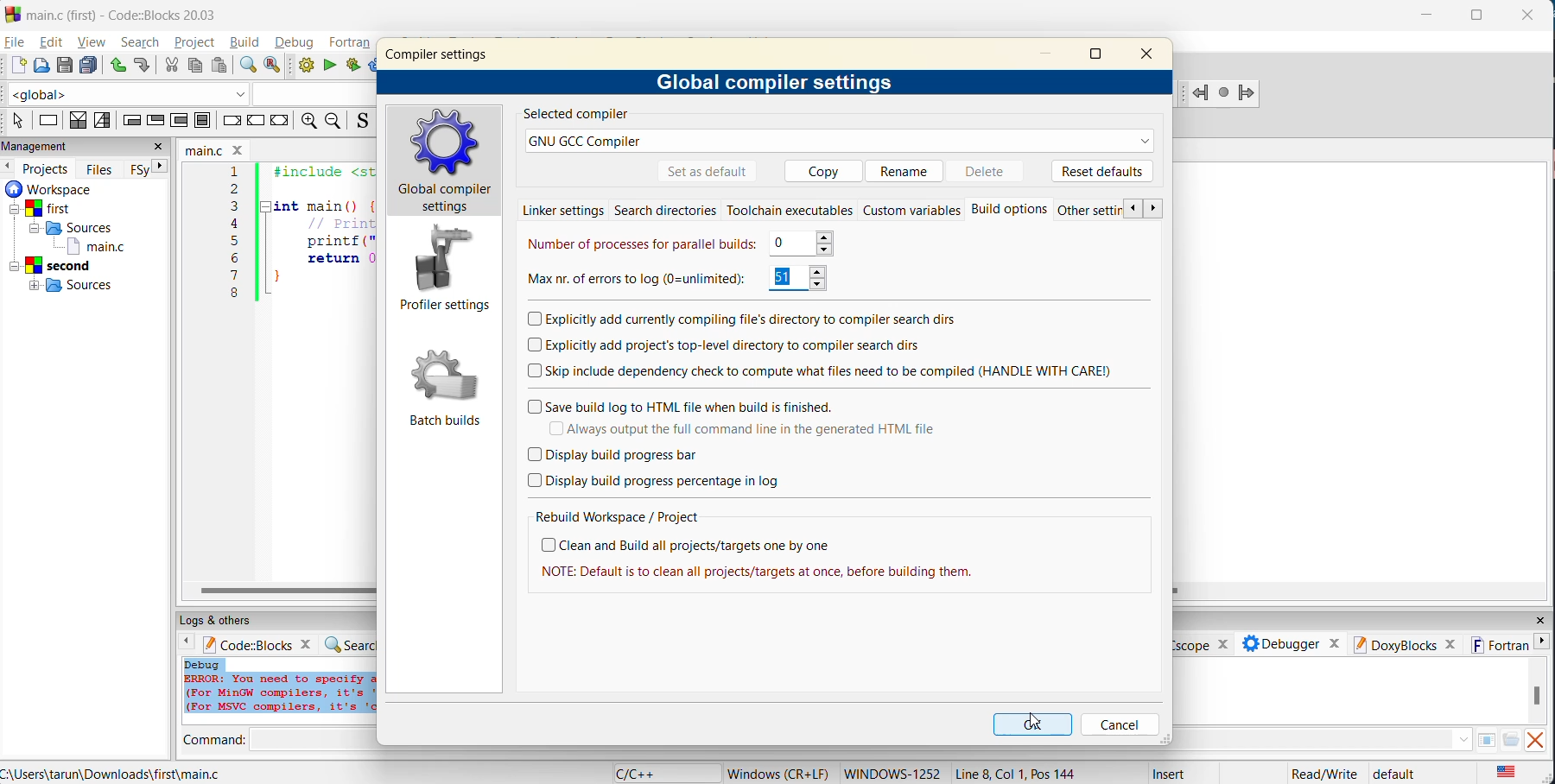  Describe the element at coordinates (333, 121) in the screenshot. I see `zoom out` at that location.